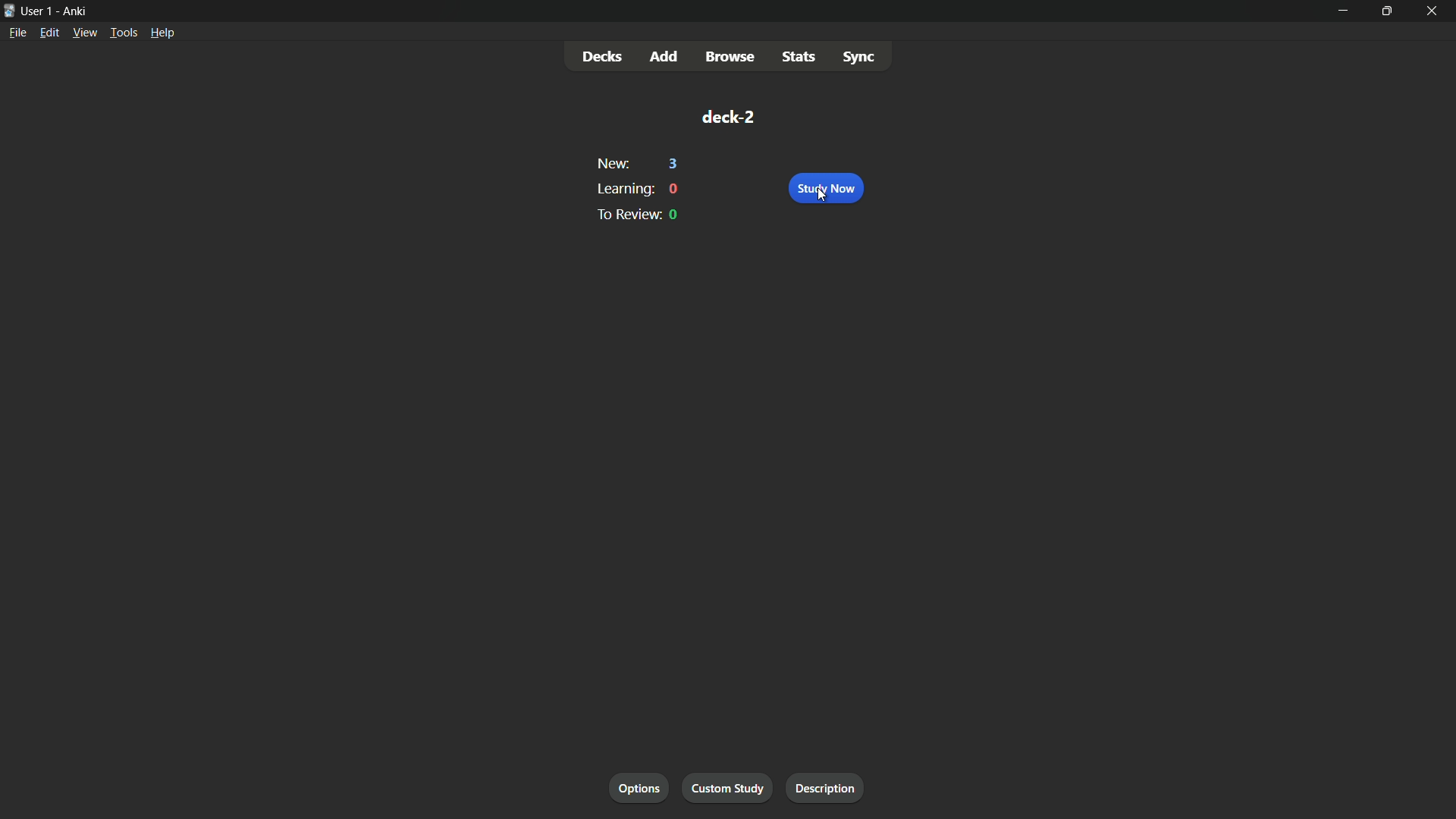 The width and height of the screenshot is (1456, 819). What do you see at coordinates (39, 11) in the screenshot?
I see `user 1` at bounding box center [39, 11].